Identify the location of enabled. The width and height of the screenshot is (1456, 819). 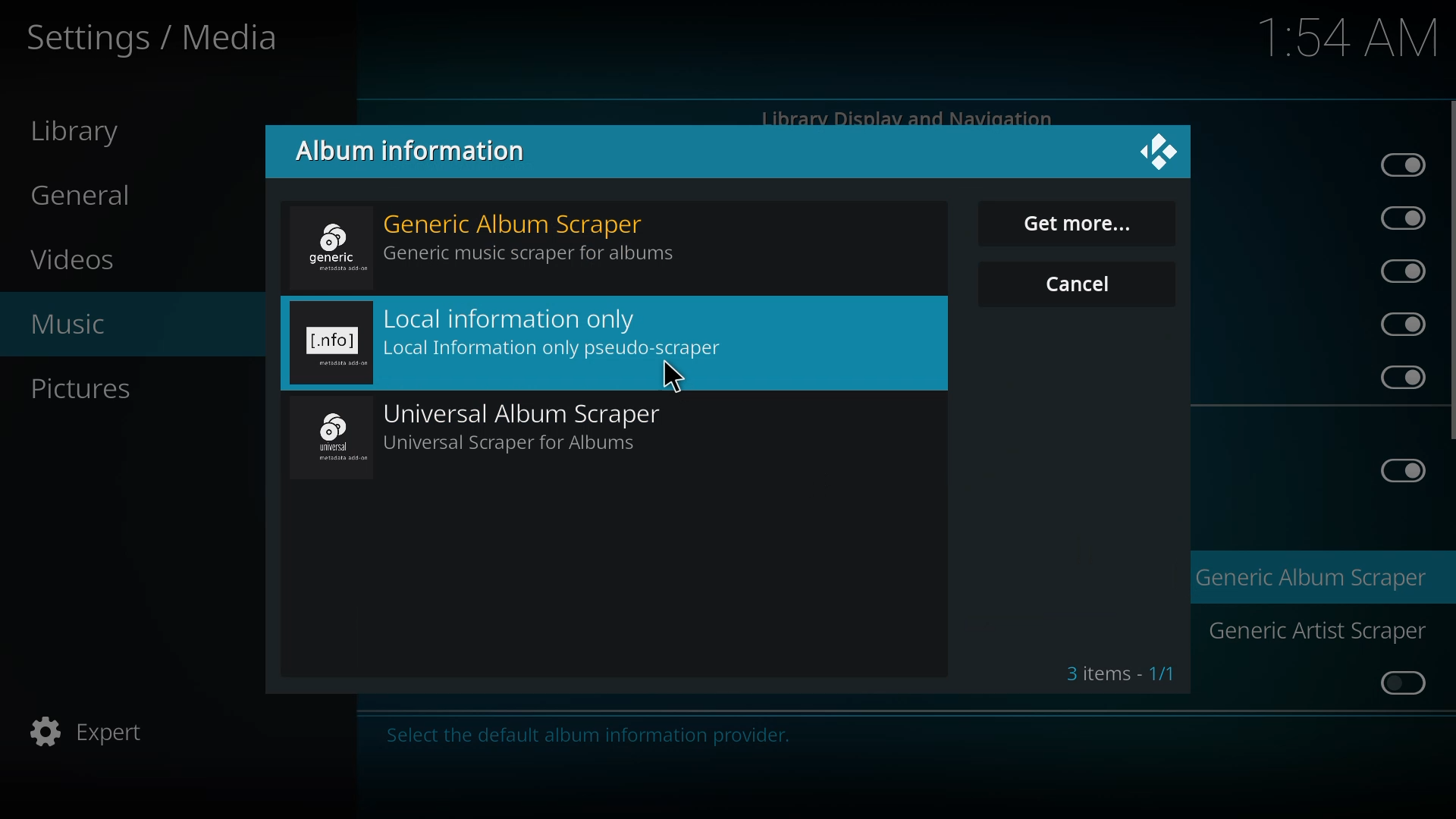
(1399, 323).